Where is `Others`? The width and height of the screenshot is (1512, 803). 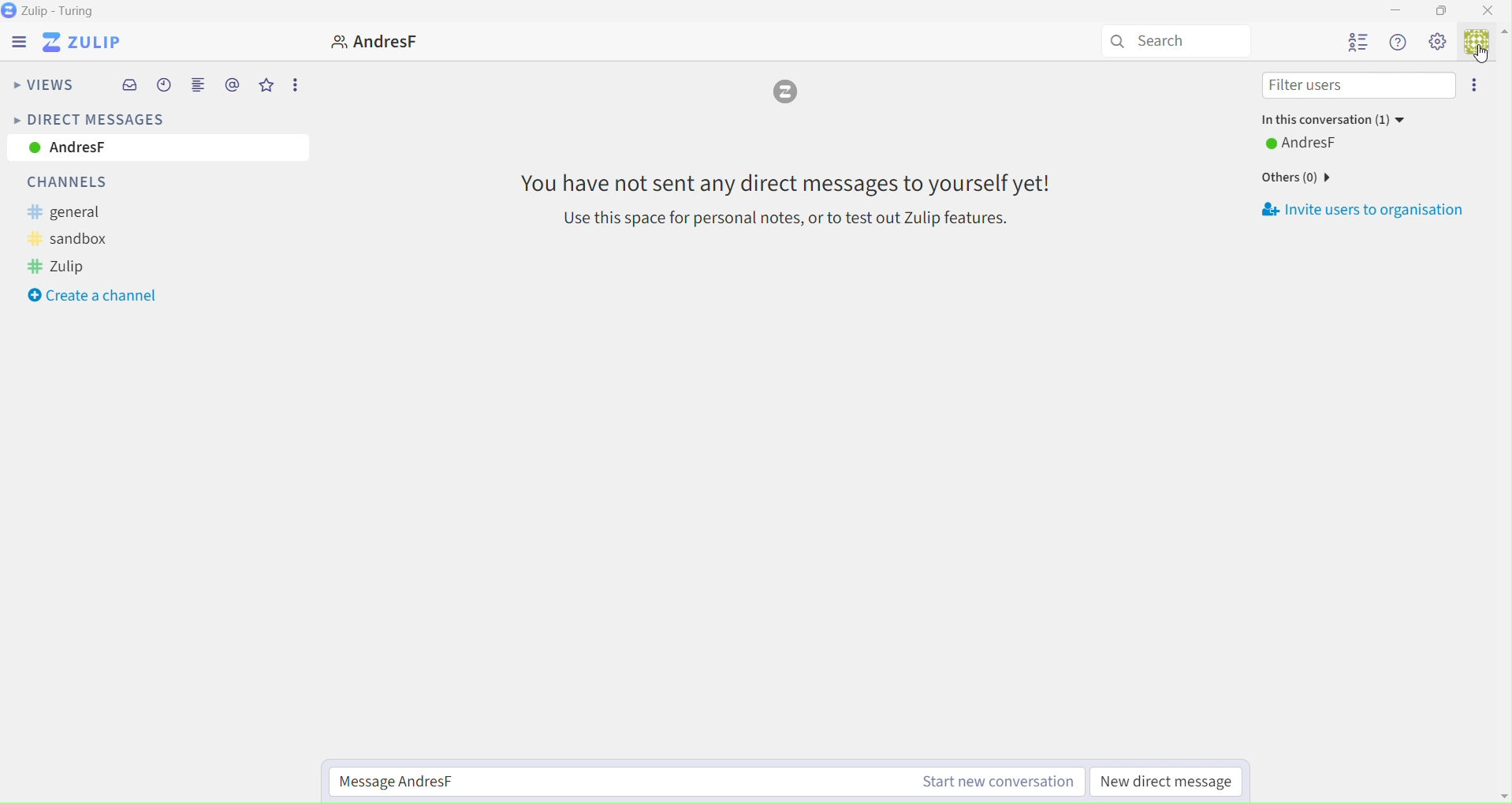 Others is located at coordinates (1295, 177).